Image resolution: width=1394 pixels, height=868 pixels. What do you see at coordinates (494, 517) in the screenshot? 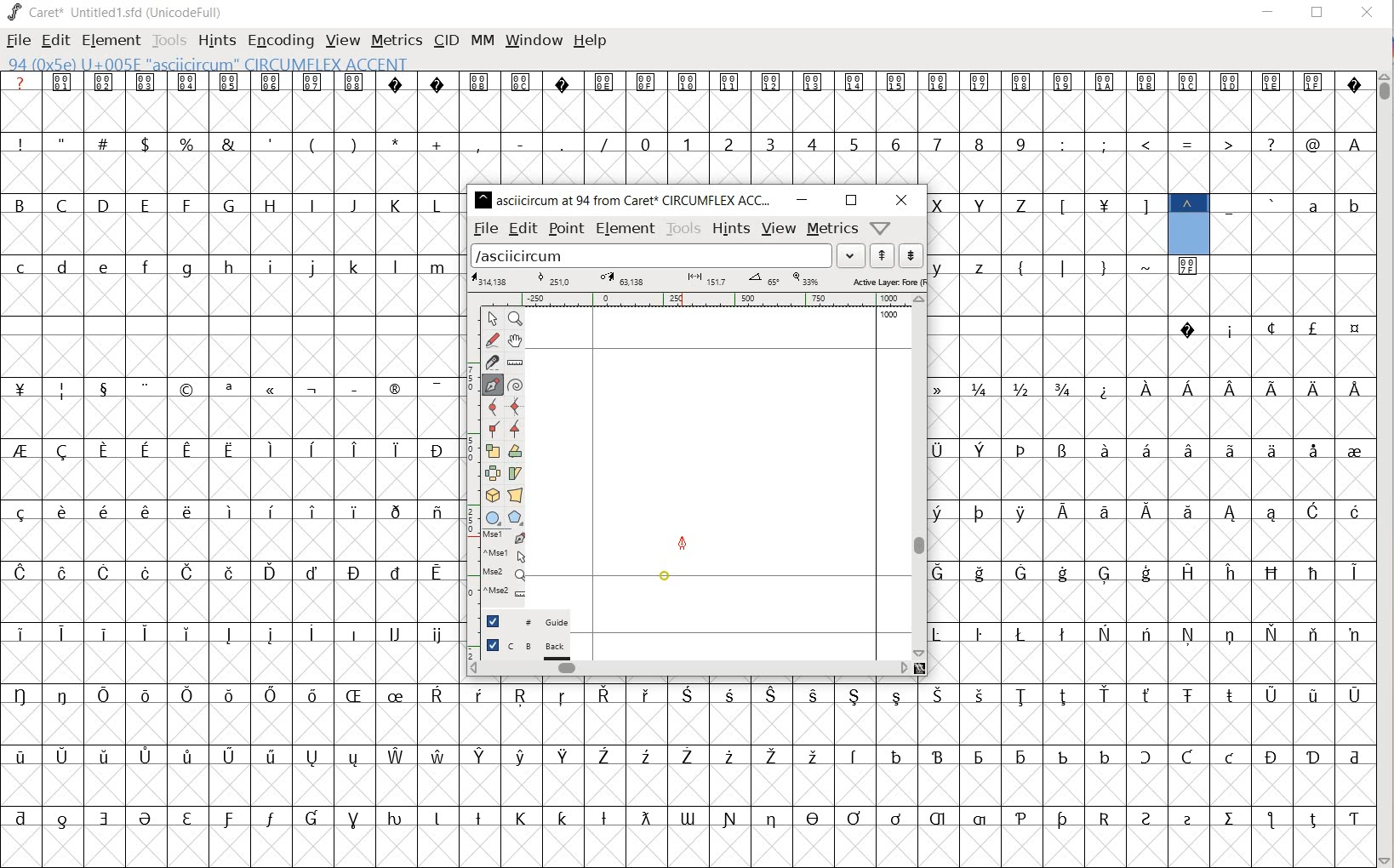
I see `rectangle or ellipse` at bounding box center [494, 517].